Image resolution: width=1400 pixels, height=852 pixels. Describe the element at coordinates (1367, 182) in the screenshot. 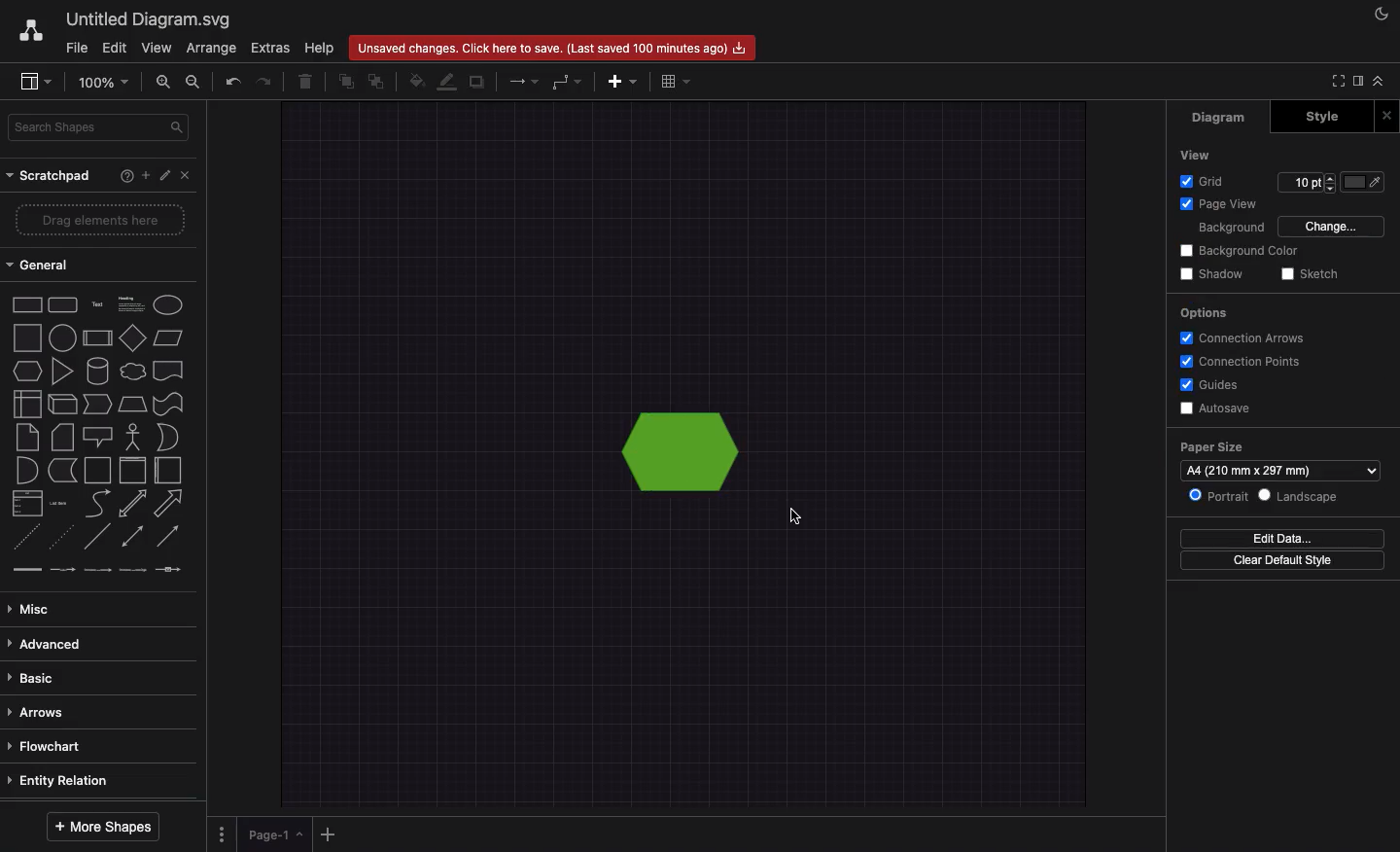

I see `color fill` at that location.